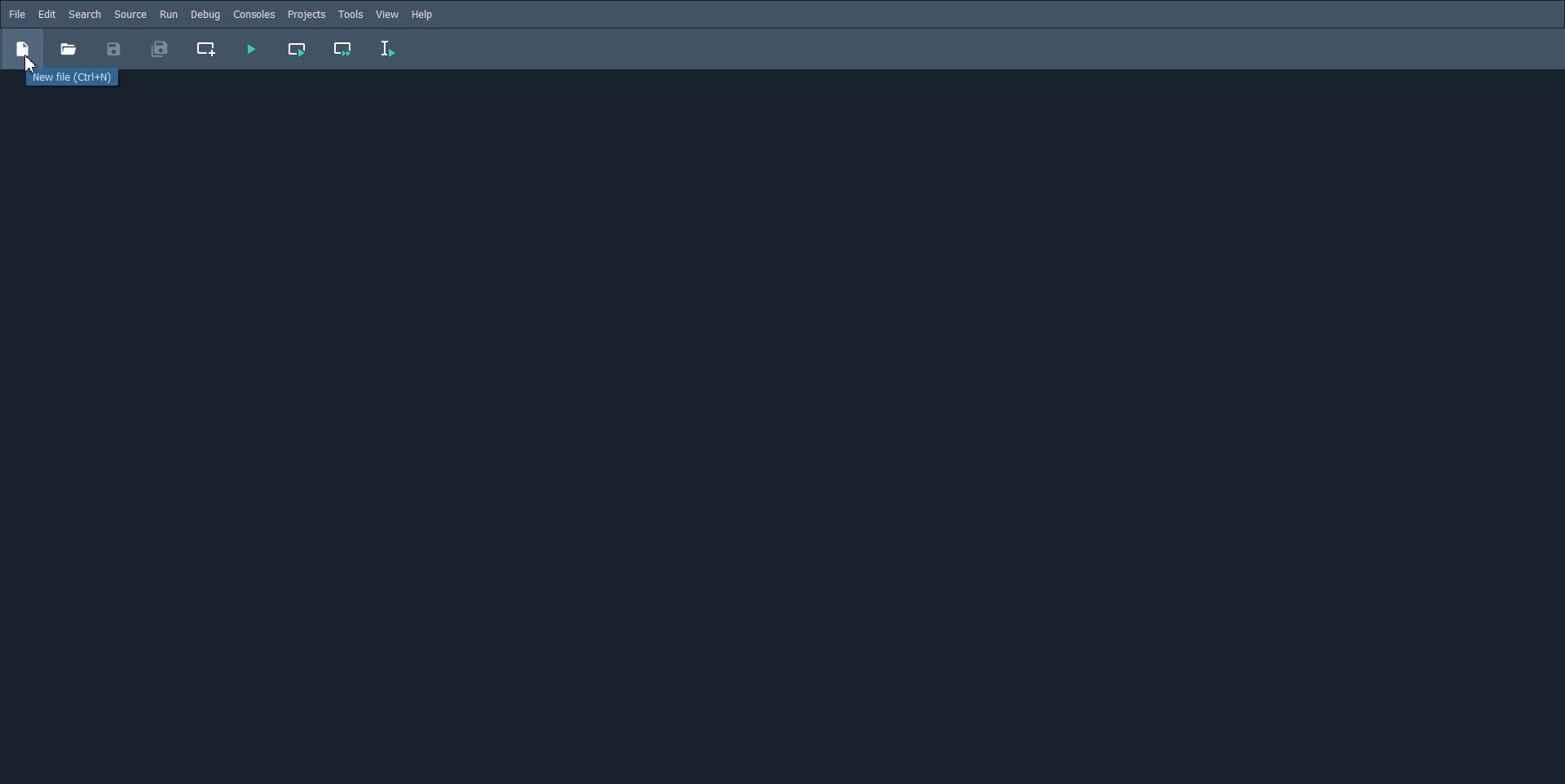  I want to click on Projects, so click(306, 15).